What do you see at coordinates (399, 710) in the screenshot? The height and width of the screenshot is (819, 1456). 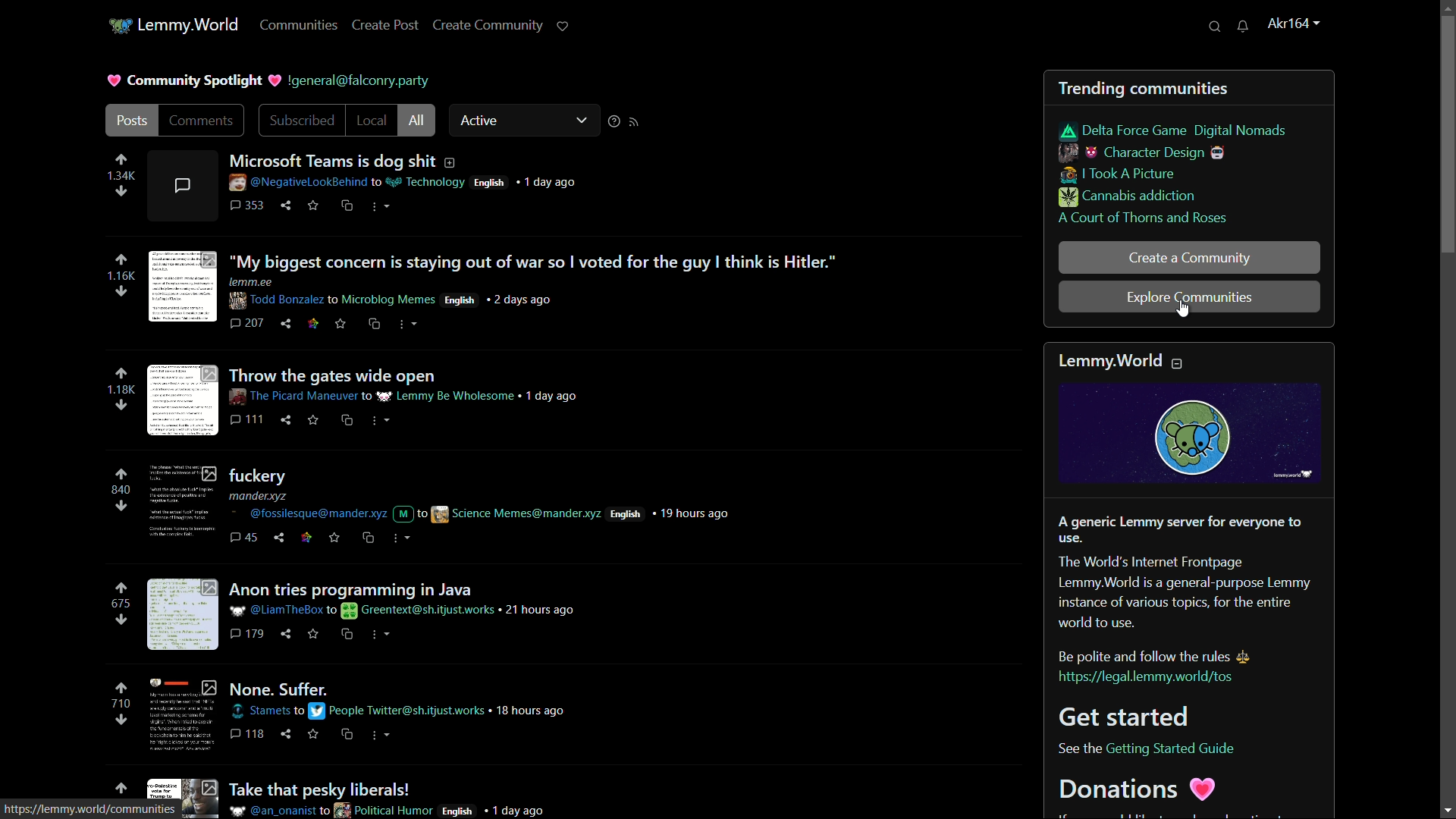 I see `post details` at bounding box center [399, 710].